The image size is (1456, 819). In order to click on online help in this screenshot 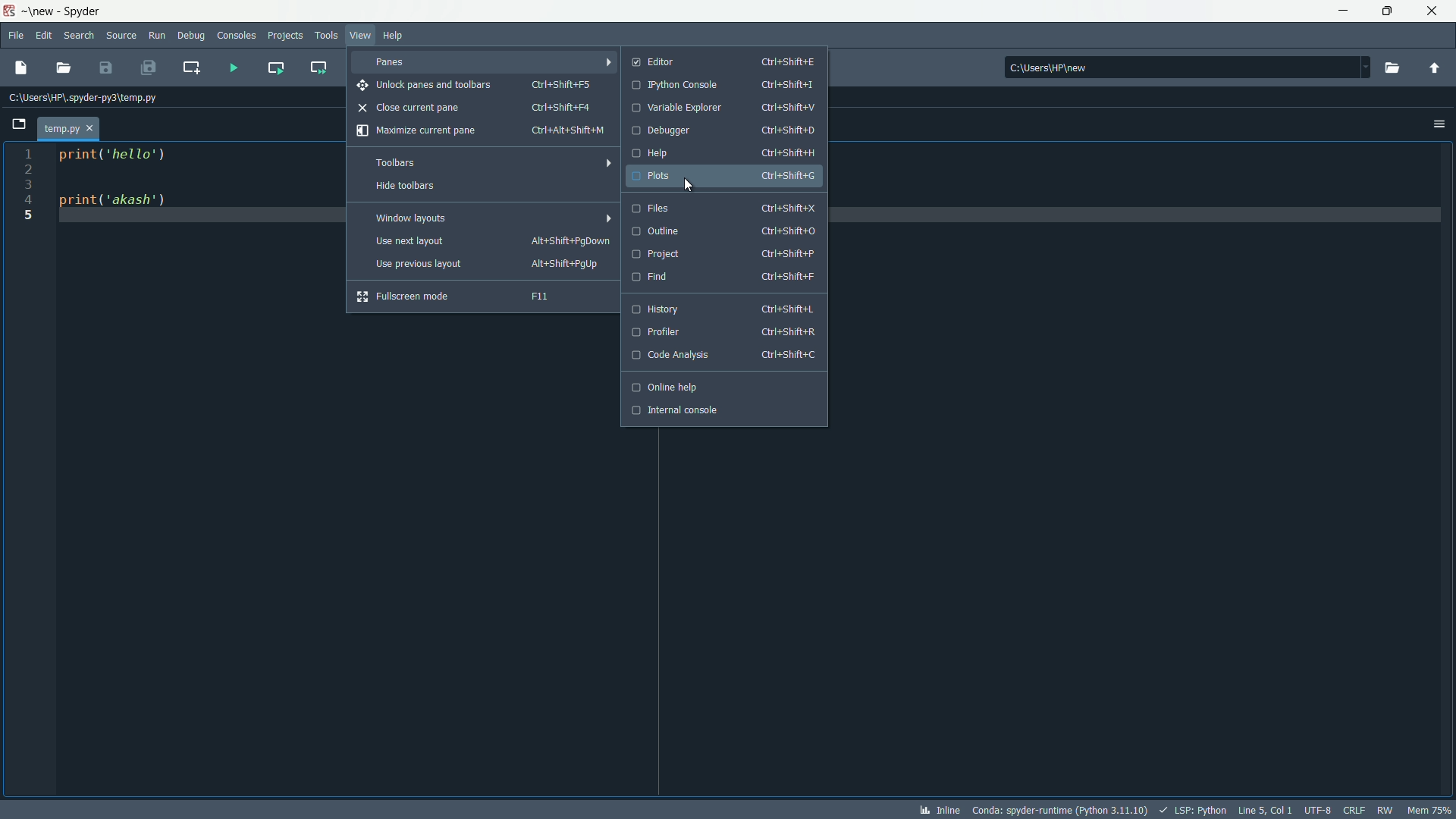, I will do `click(720, 388)`.